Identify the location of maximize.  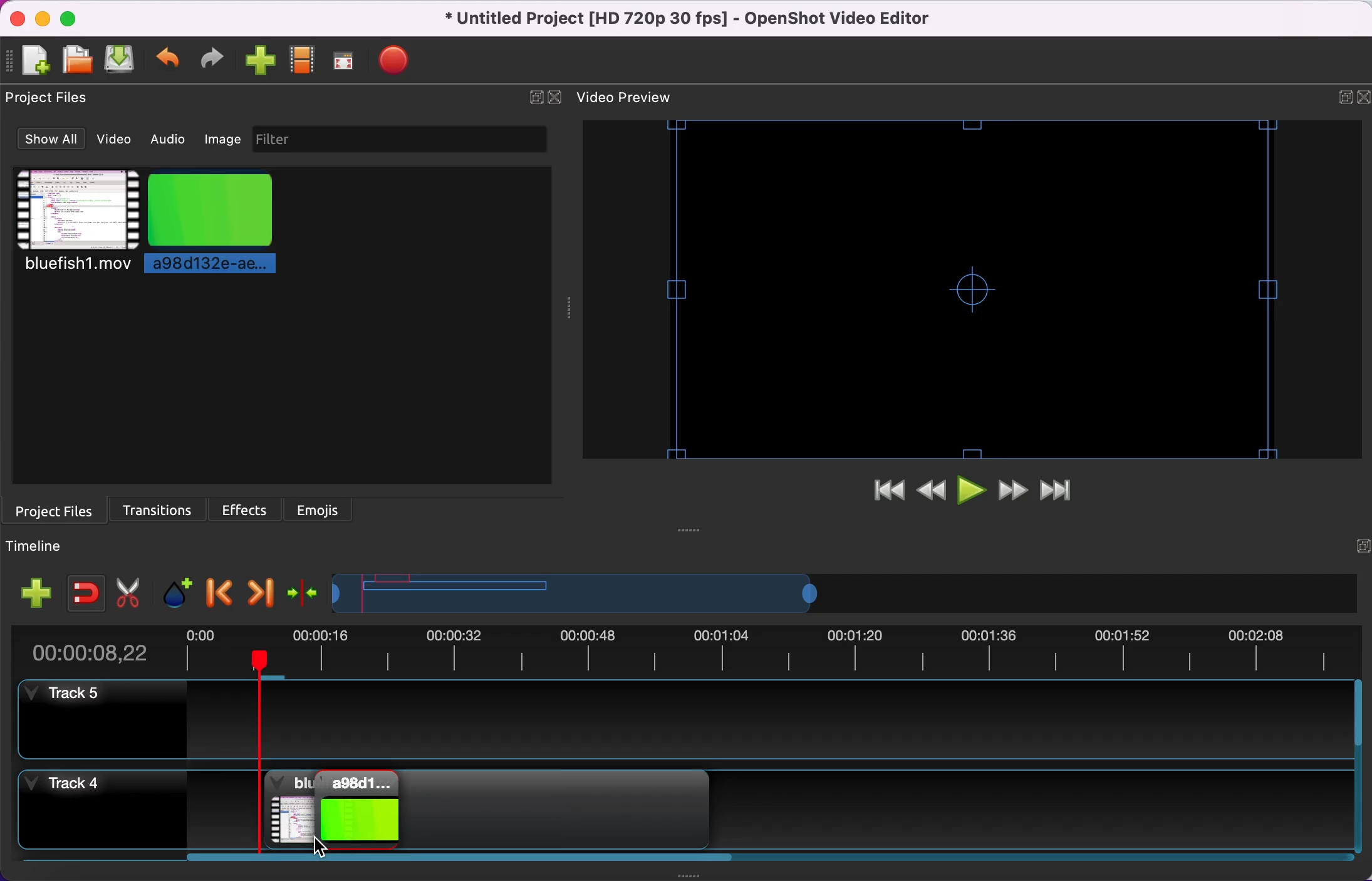
(74, 18).